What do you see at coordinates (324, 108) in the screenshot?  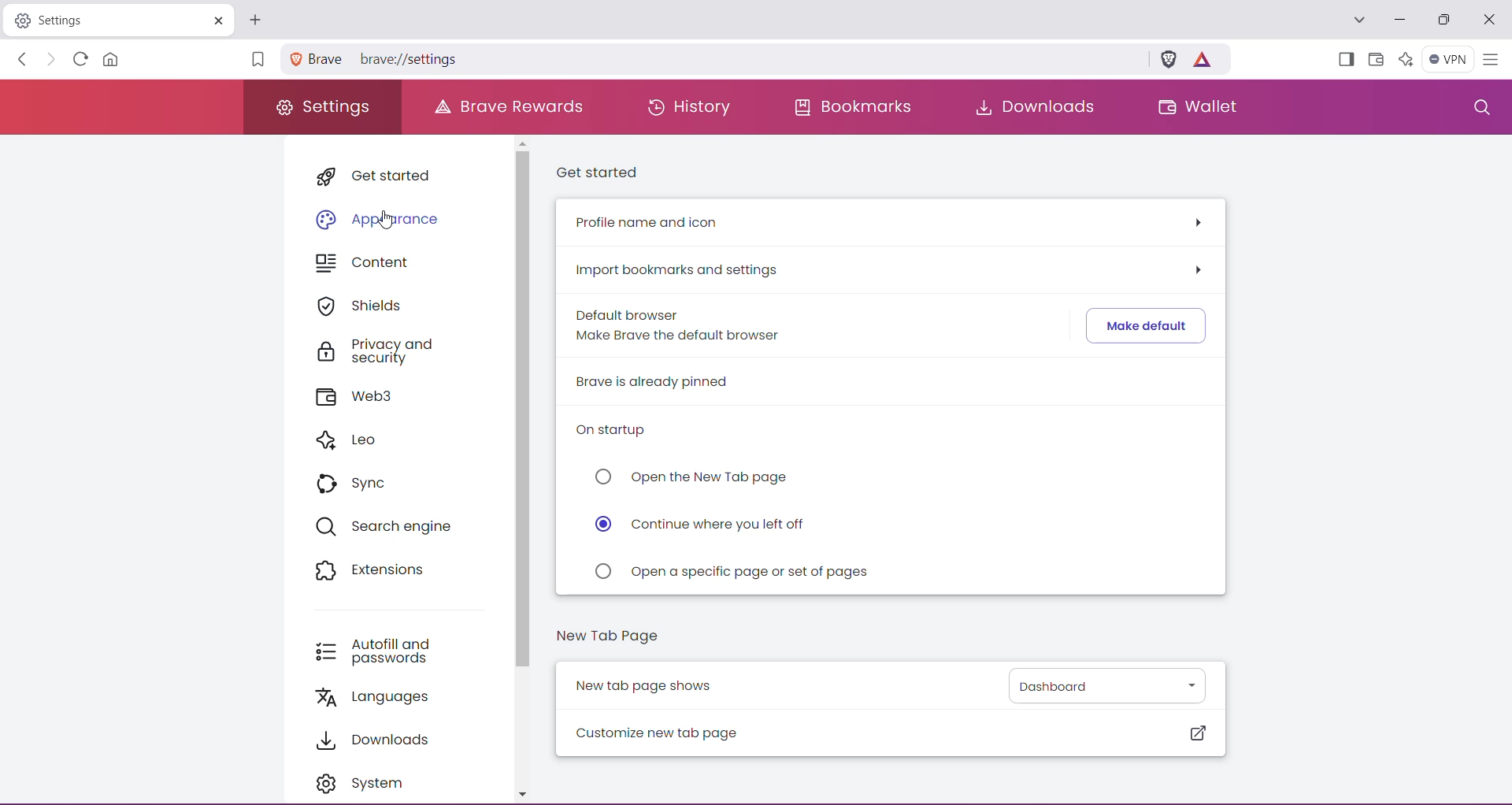 I see `Settings` at bounding box center [324, 108].